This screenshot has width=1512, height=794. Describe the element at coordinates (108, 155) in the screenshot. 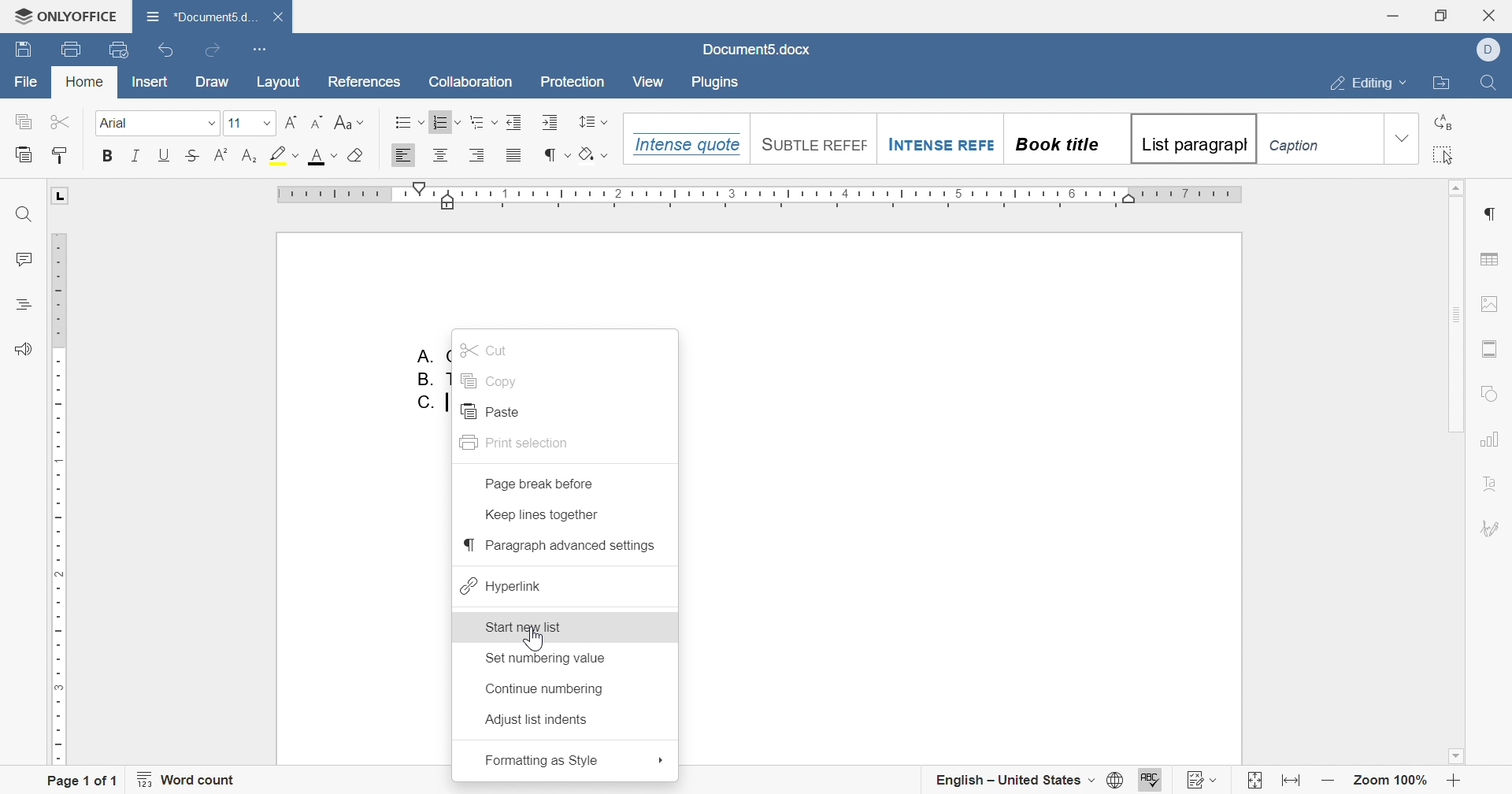

I see `Bold` at that location.